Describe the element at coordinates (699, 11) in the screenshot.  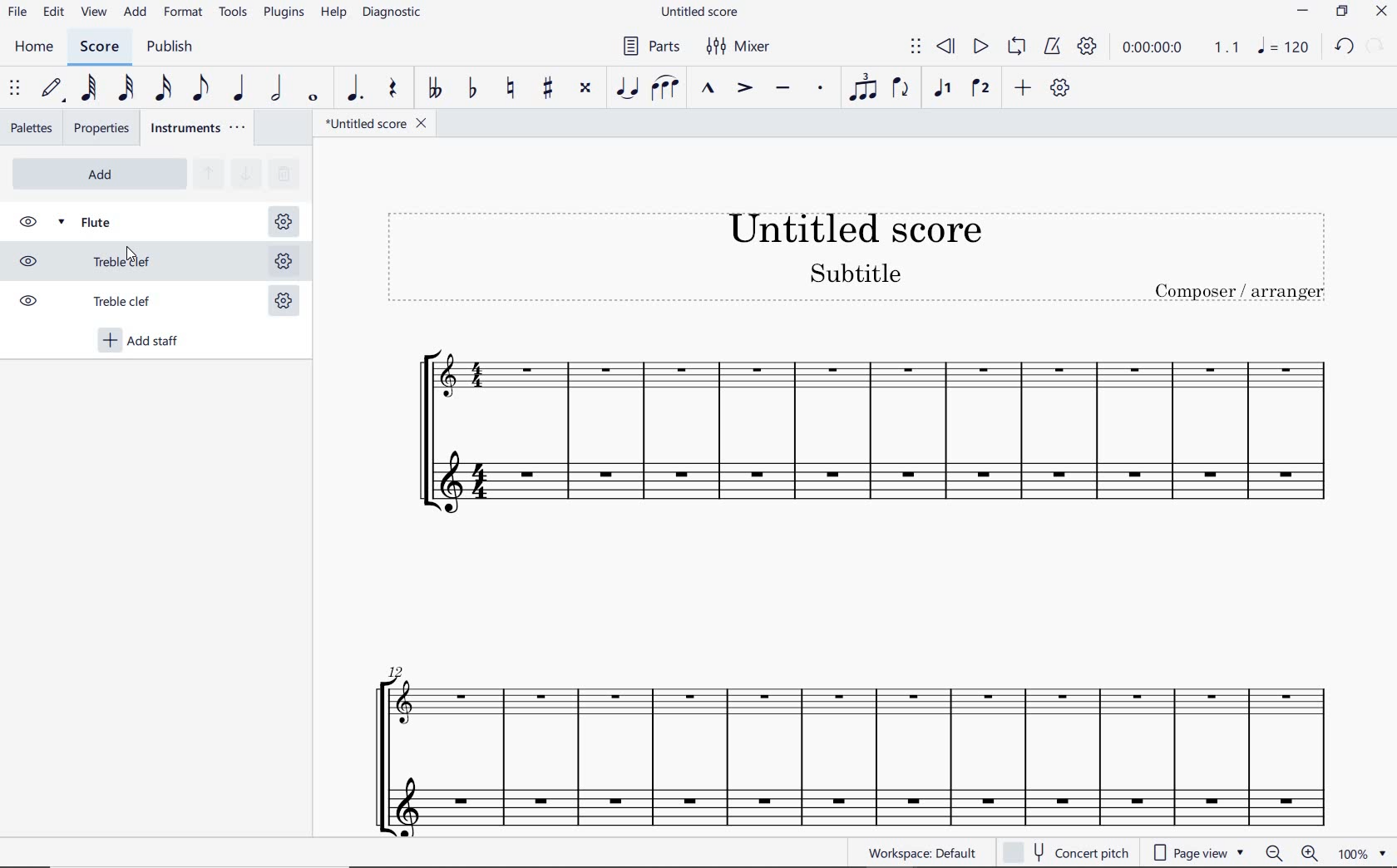
I see `FILE NAME` at that location.